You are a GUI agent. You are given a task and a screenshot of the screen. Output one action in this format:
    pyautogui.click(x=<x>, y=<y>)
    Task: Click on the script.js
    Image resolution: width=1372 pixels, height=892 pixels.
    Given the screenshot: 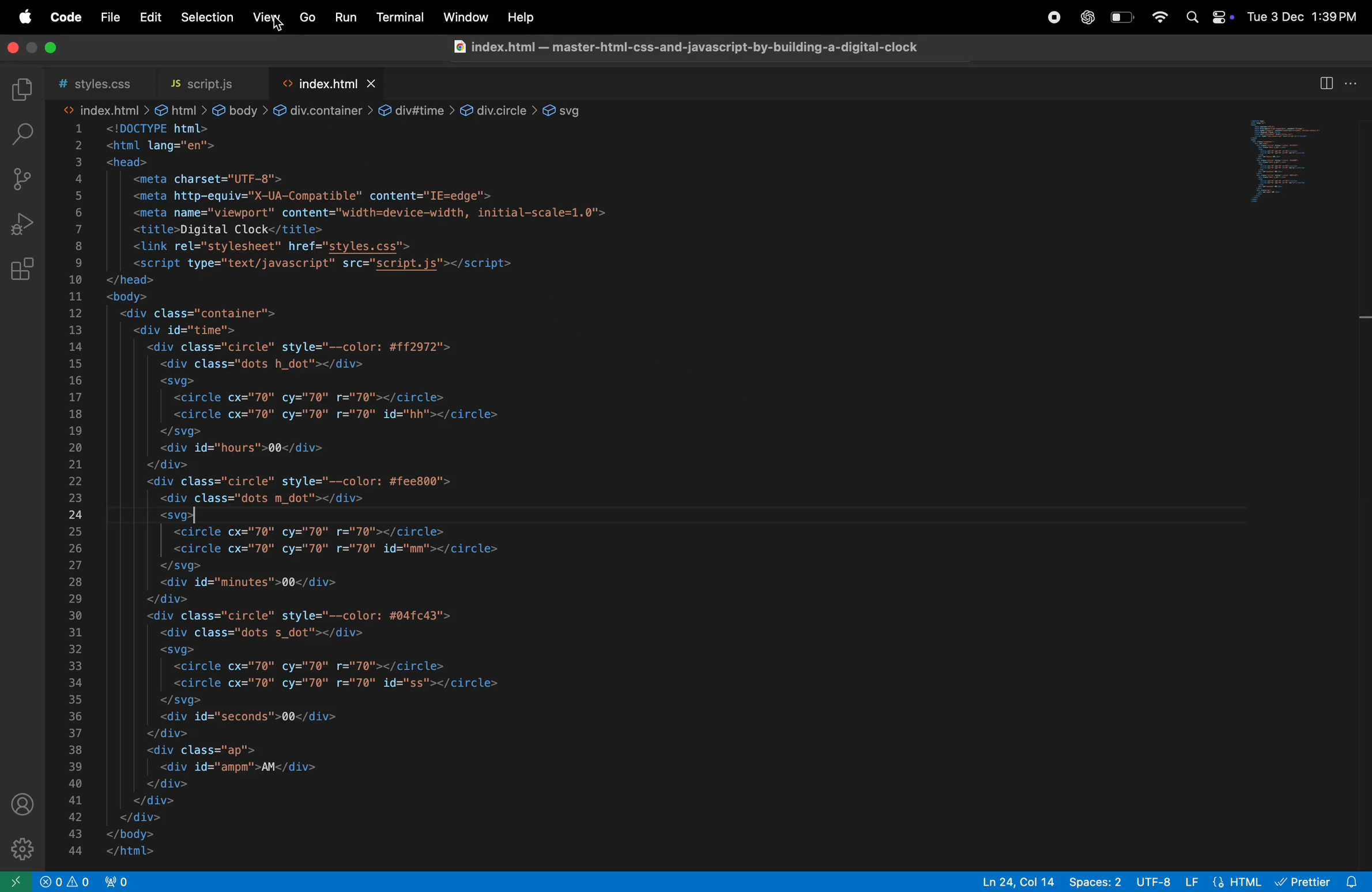 What is the action you would take?
    pyautogui.click(x=208, y=80)
    